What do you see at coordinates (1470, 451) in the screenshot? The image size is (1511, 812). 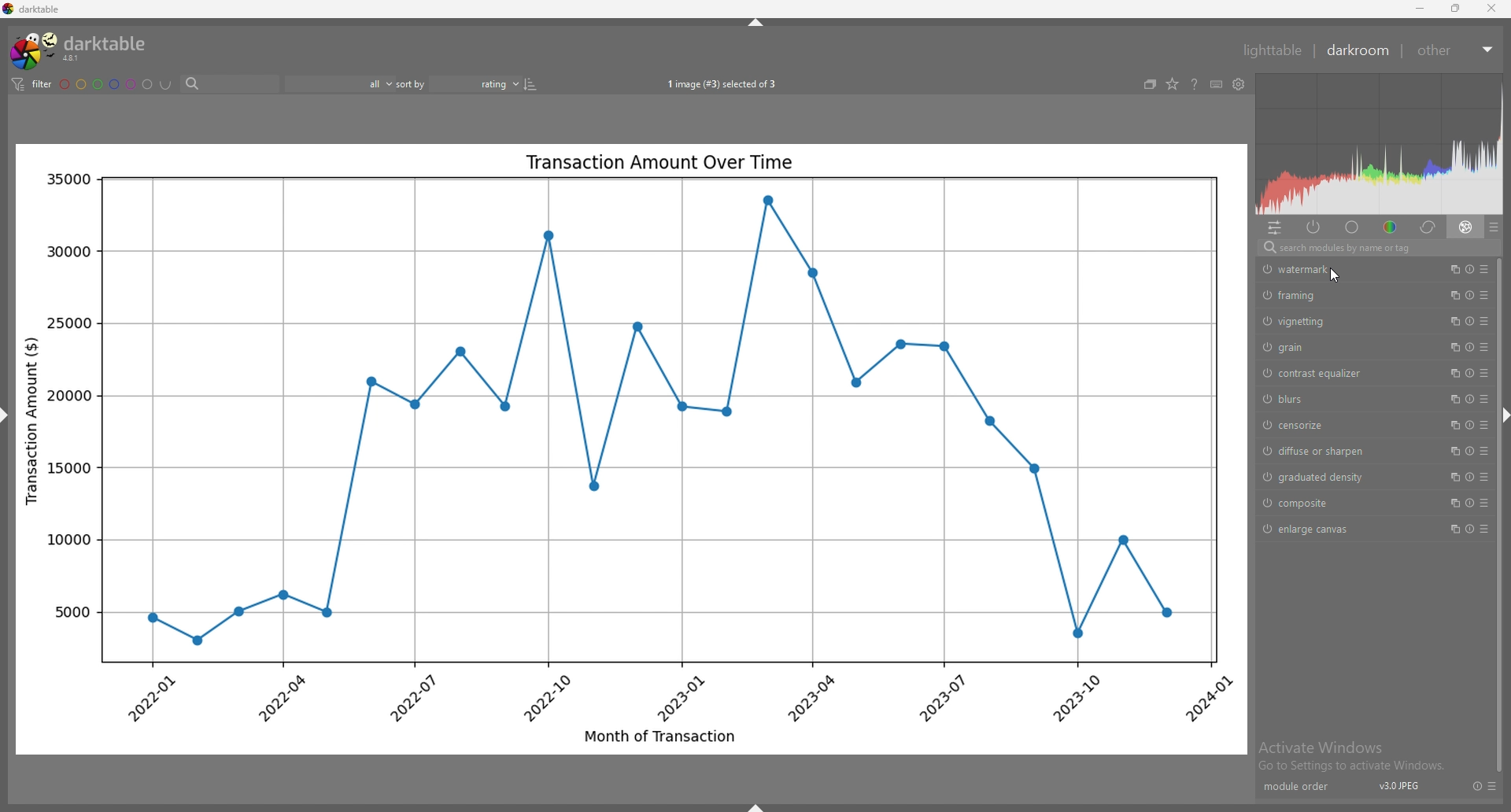 I see `reset` at bounding box center [1470, 451].